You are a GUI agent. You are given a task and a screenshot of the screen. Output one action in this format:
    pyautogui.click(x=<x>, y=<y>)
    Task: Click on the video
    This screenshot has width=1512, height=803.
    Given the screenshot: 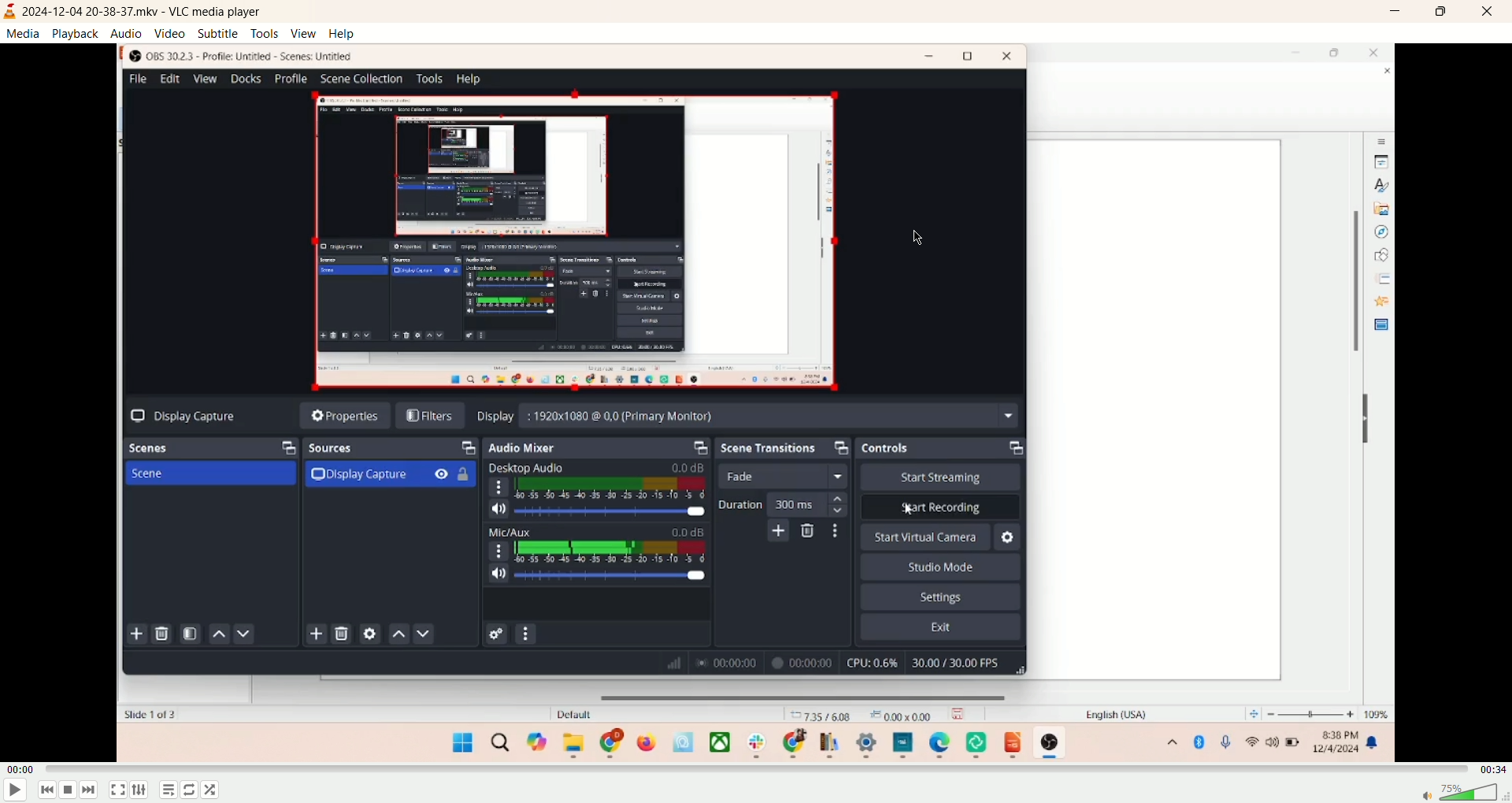 What is the action you would take?
    pyautogui.click(x=169, y=32)
    